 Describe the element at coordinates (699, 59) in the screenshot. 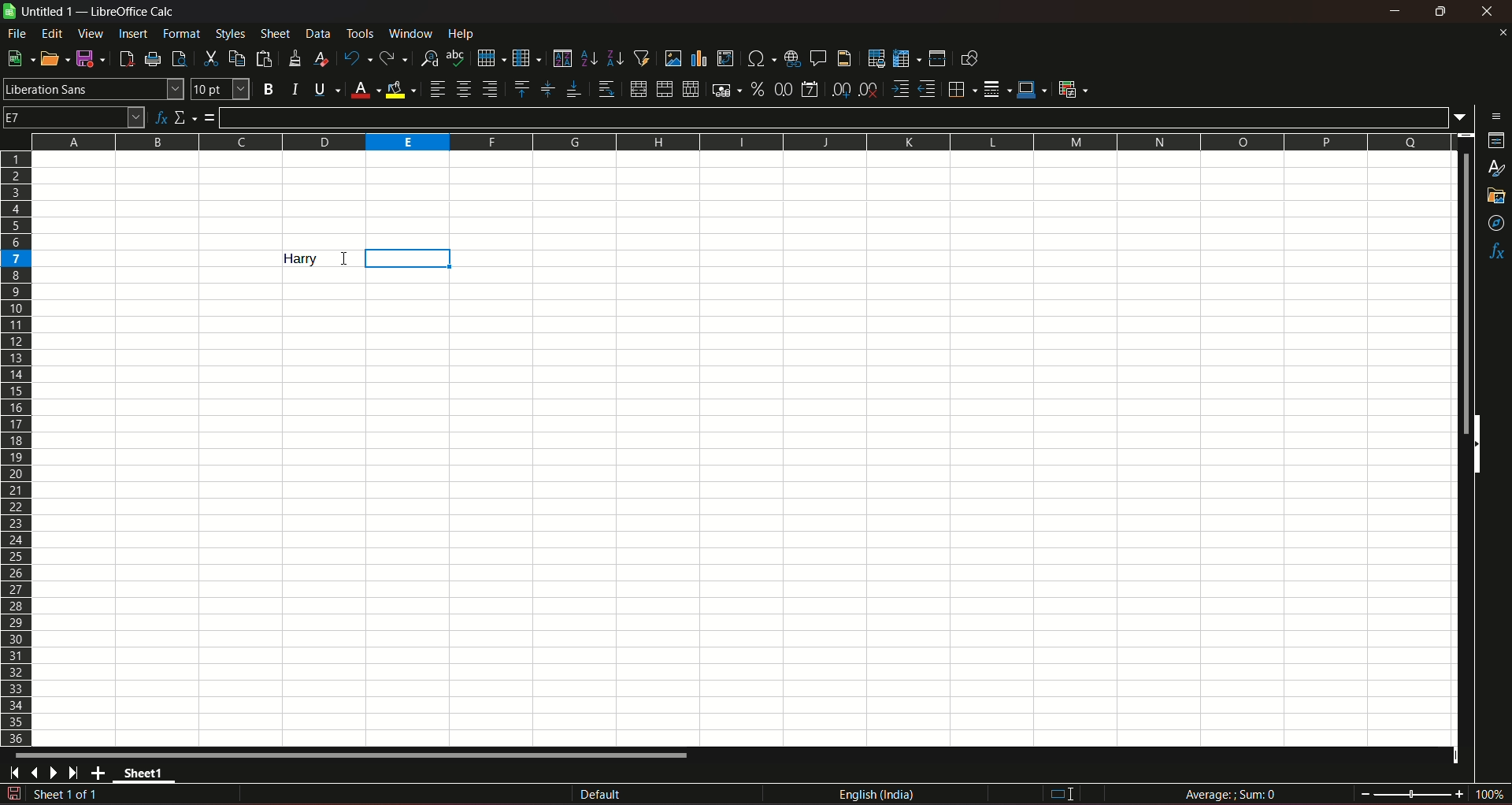

I see `insert chart` at that location.